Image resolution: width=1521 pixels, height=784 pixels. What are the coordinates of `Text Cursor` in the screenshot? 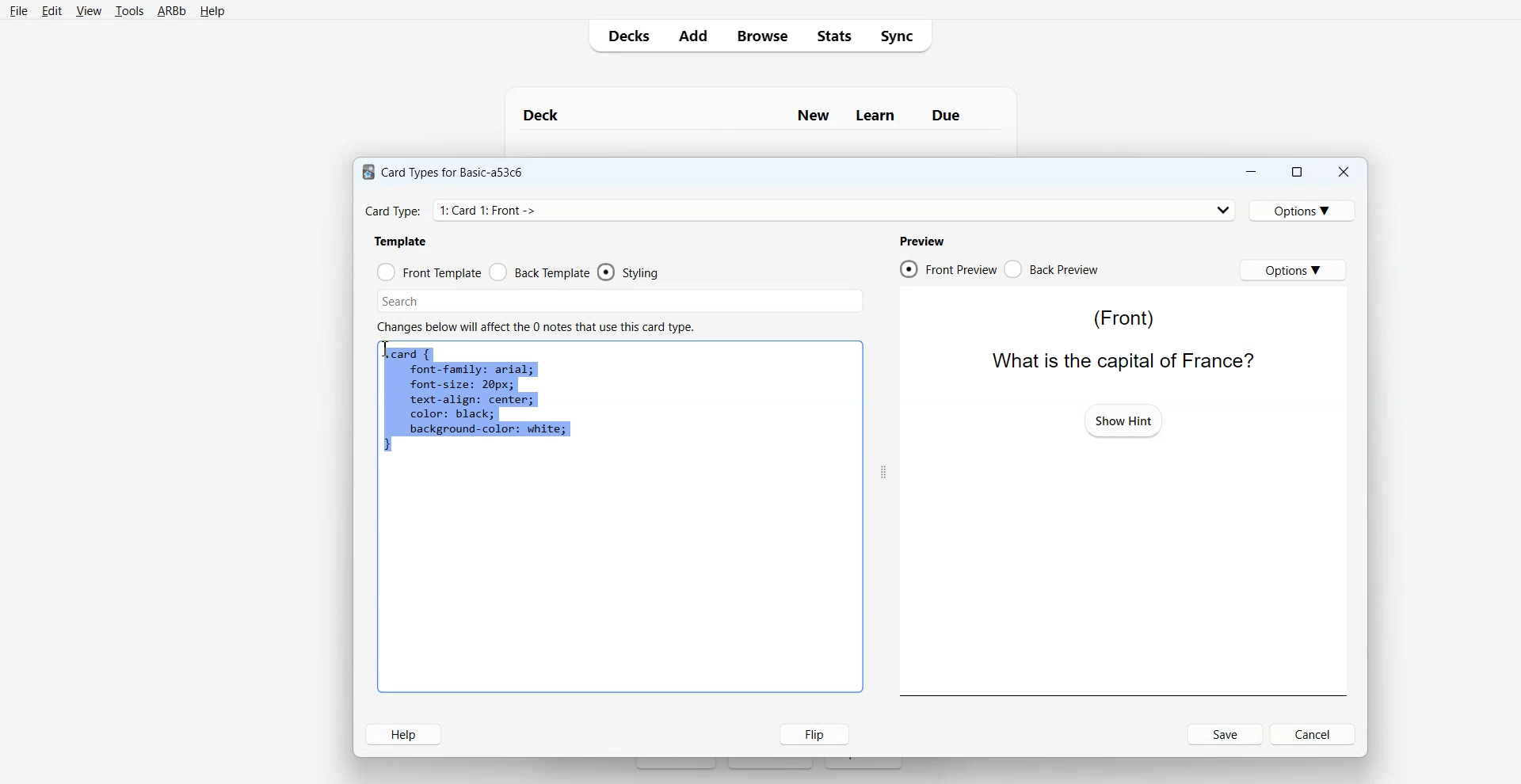 It's located at (388, 351).